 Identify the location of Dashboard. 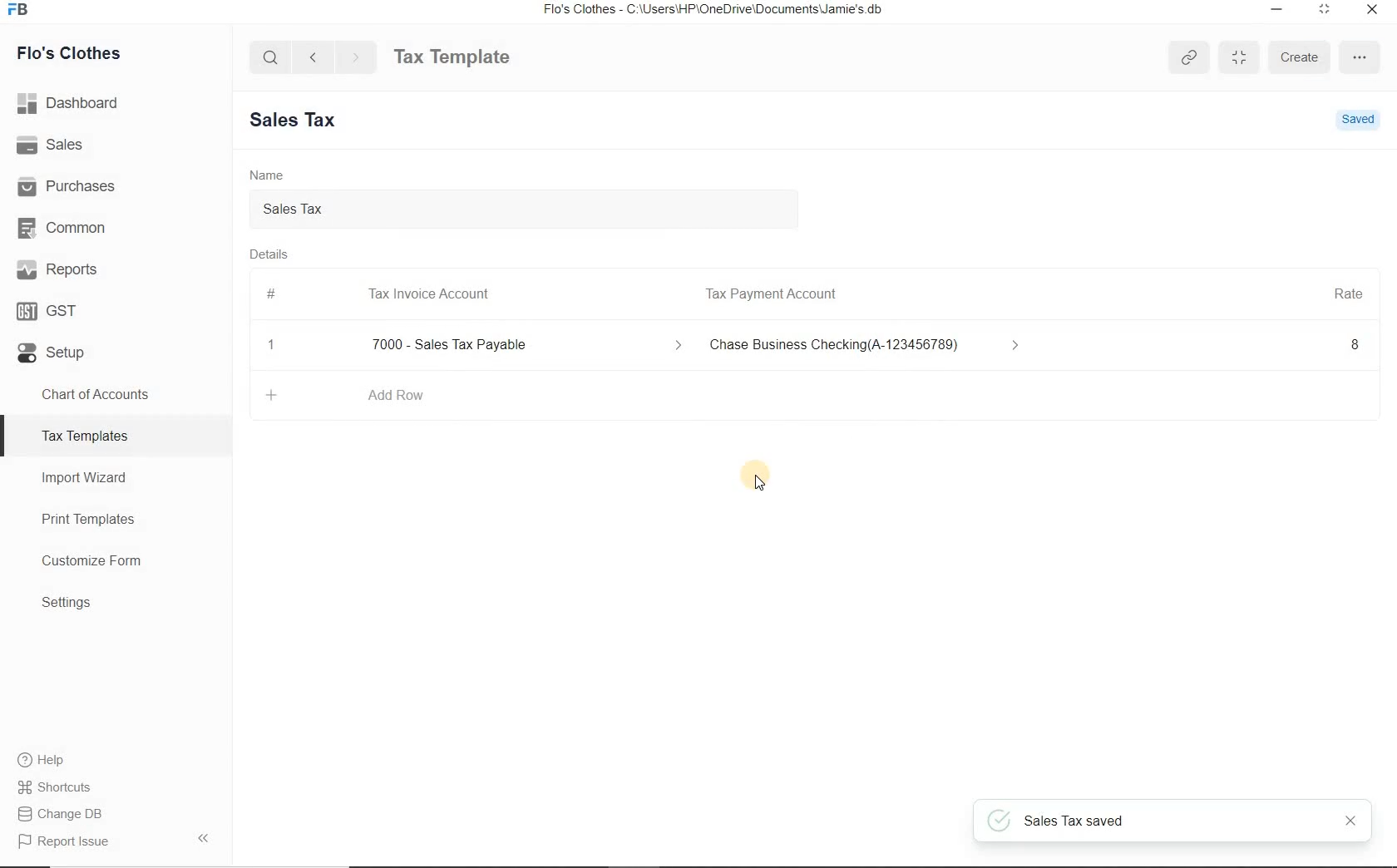
(116, 103).